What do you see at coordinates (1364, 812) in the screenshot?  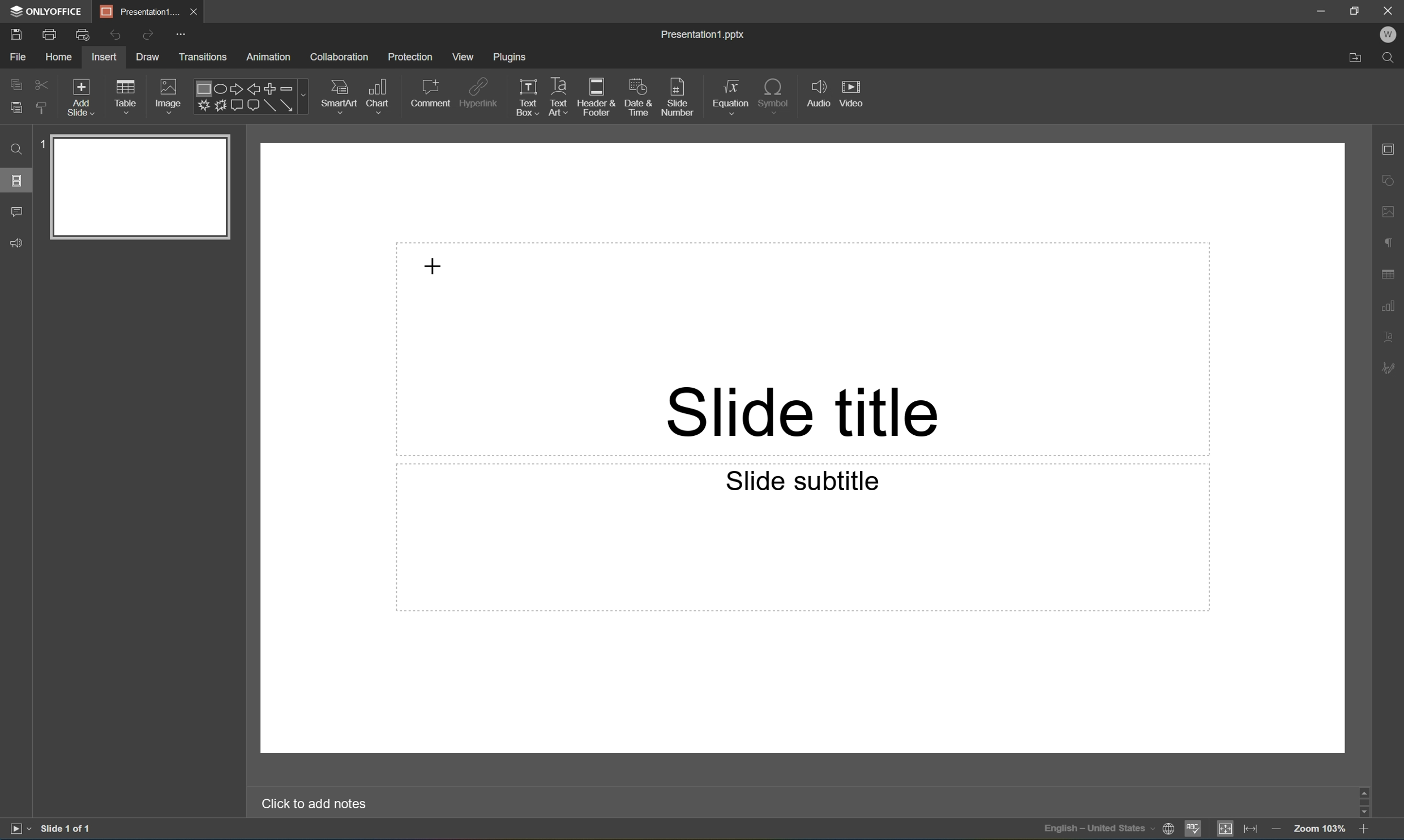 I see `Scroll Down` at bounding box center [1364, 812].